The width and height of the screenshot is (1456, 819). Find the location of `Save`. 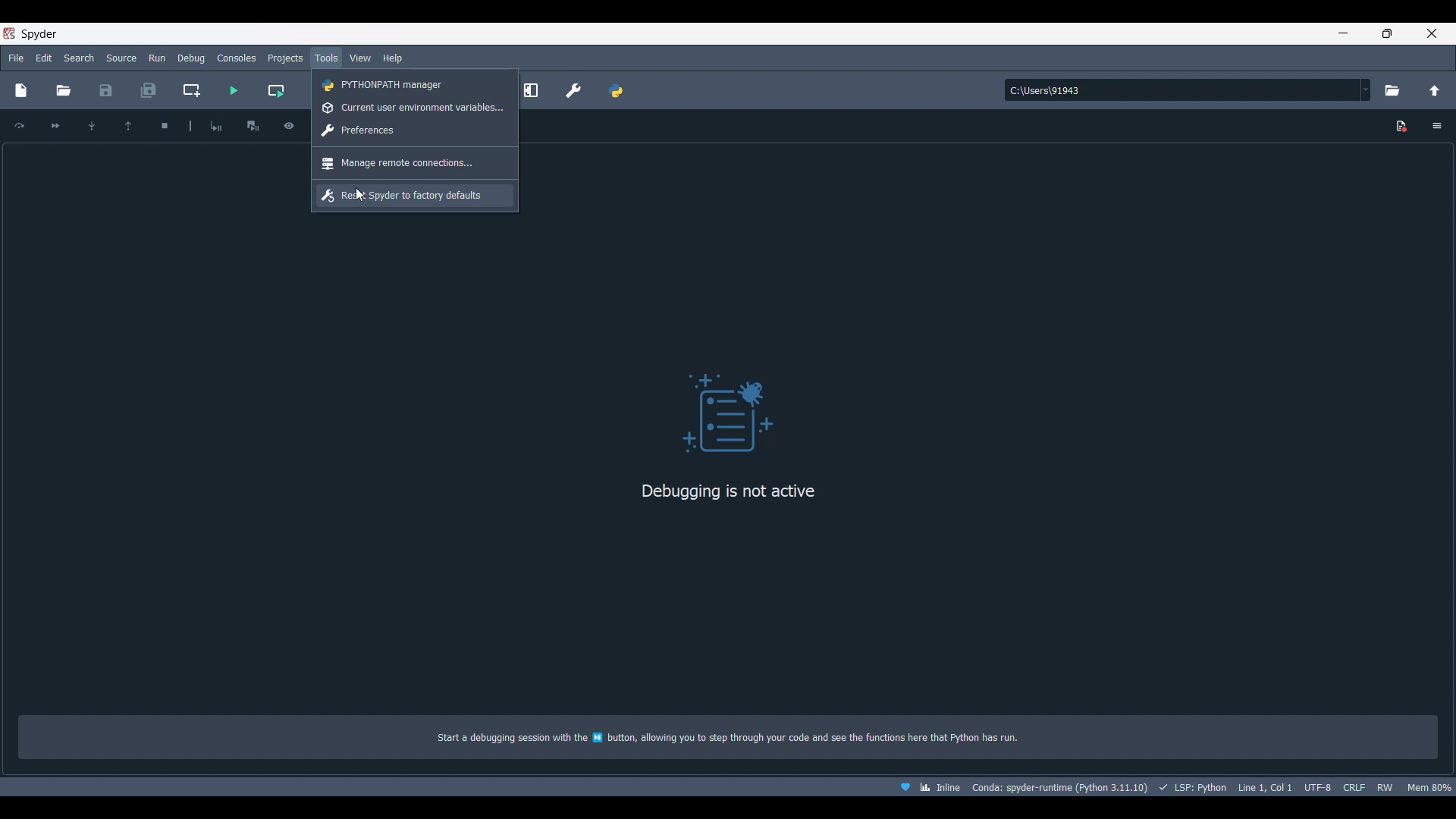

Save is located at coordinates (106, 90).